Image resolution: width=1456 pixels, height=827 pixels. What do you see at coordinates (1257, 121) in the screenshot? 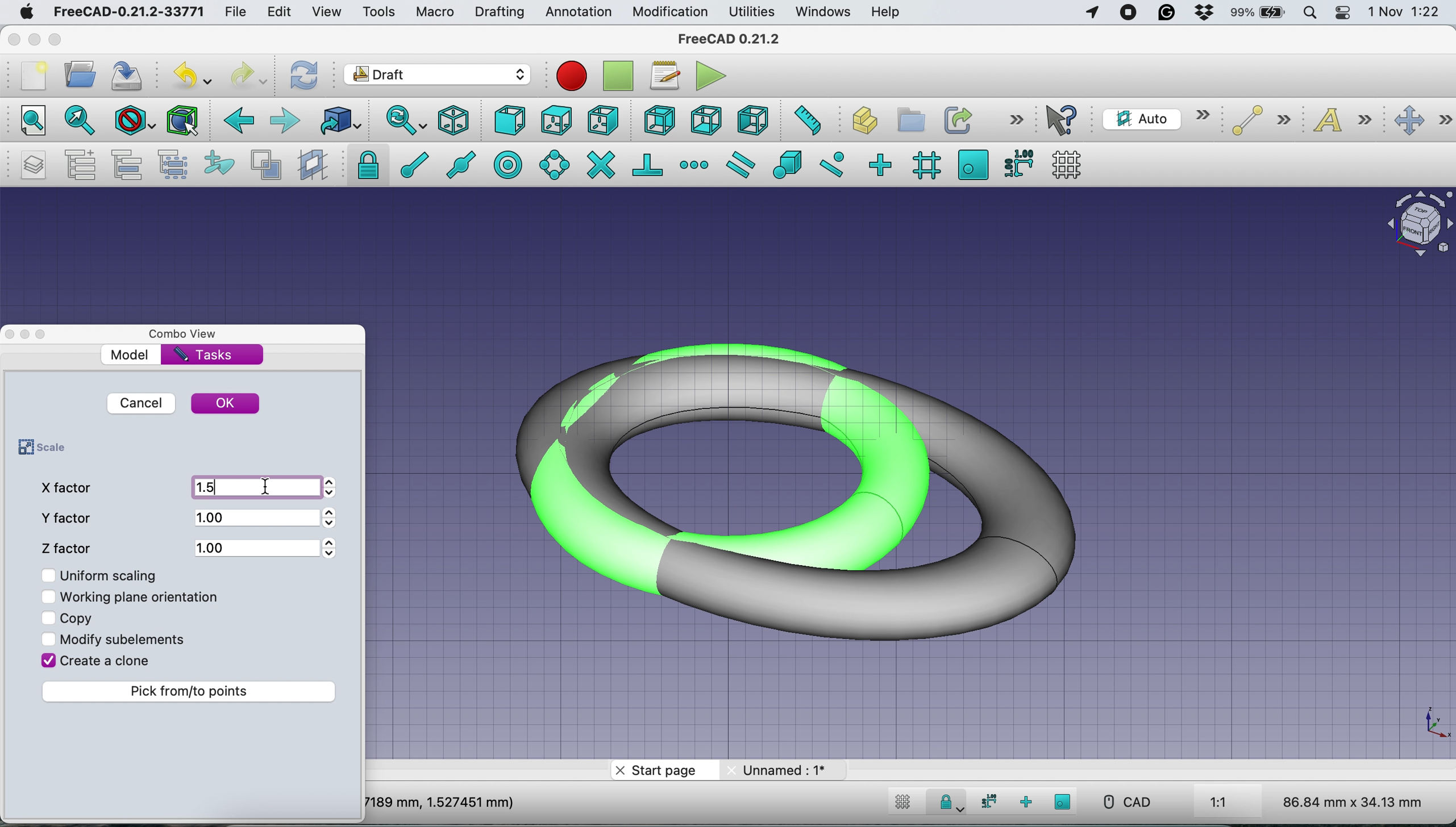
I see `line` at bounding box center [1257, 121].